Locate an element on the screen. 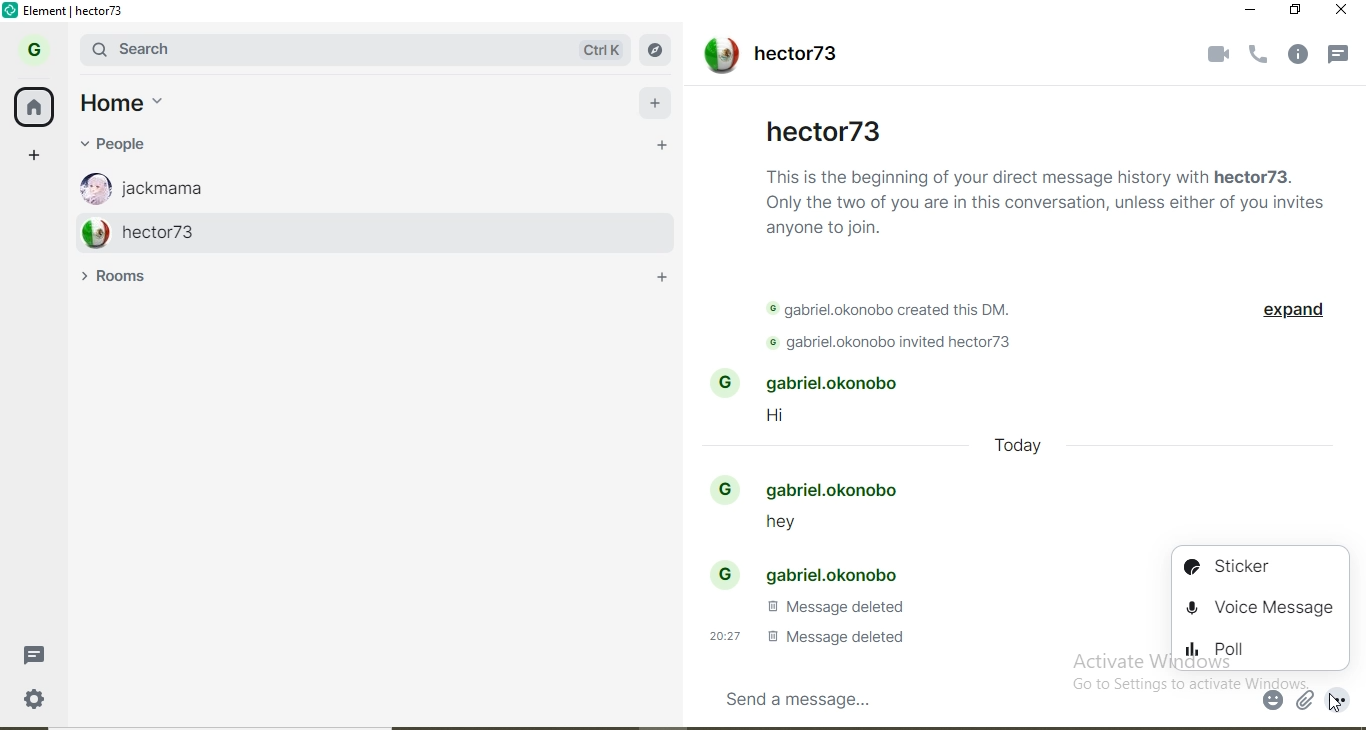  option is located at coordinates (1342, 701).